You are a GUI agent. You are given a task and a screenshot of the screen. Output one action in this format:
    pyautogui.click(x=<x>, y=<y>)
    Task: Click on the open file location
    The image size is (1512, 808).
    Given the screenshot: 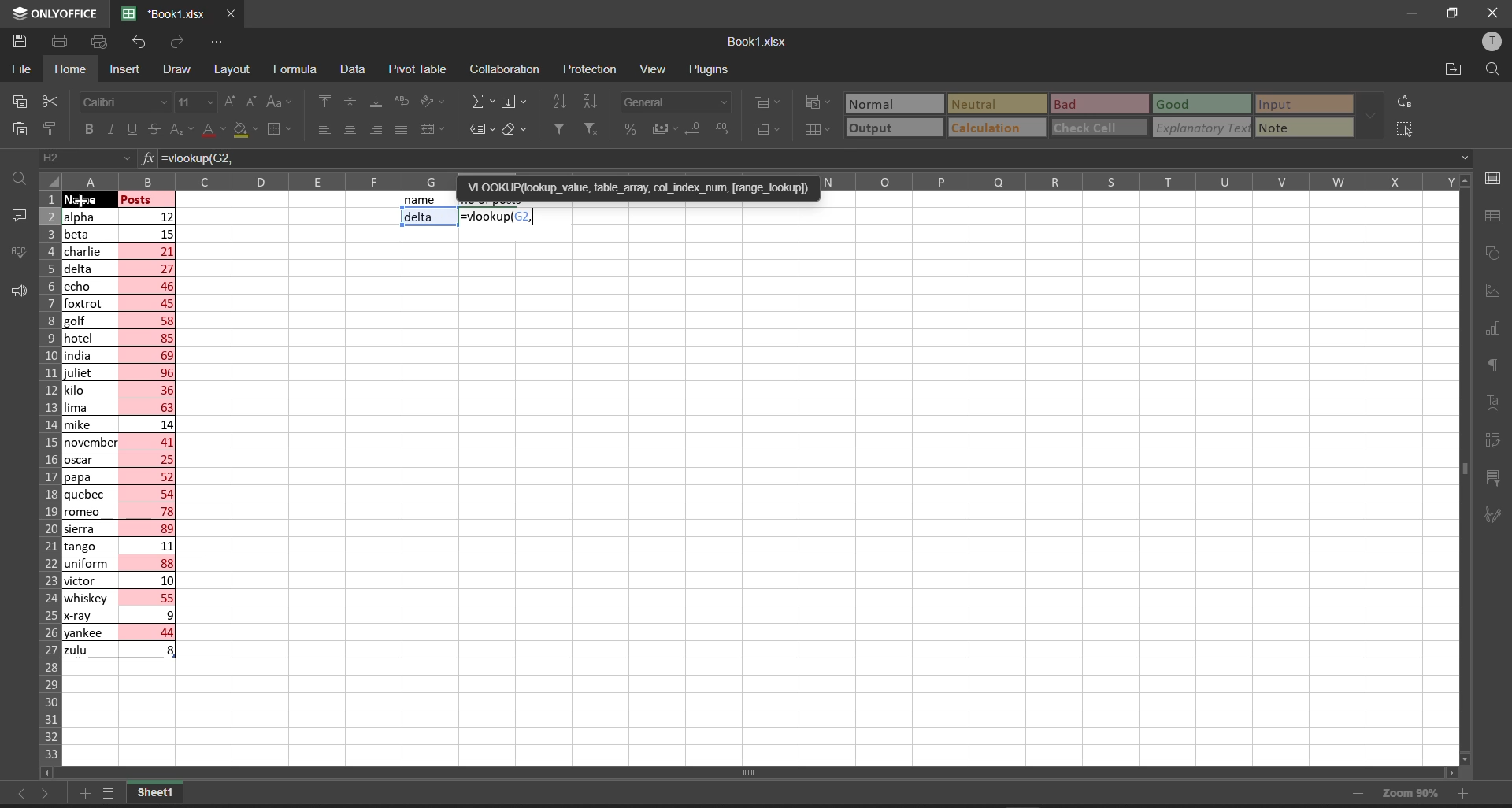 What is the action you would take?
    pyautogui.click(x=1455, y=68)
    